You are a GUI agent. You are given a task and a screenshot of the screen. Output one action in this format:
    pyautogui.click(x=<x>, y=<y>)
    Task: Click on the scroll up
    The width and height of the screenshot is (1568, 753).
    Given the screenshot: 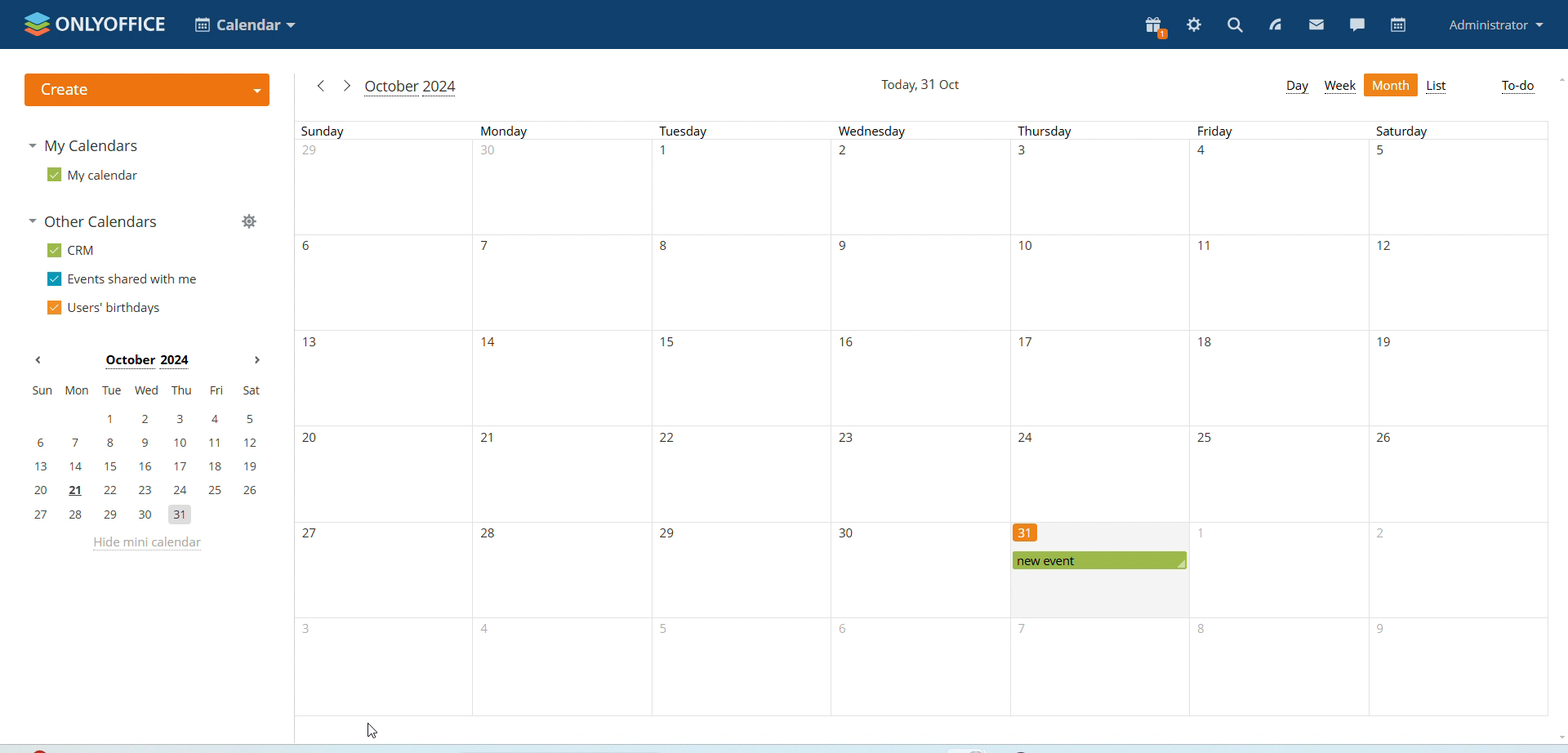 What is the action you would take?
    pyautogui.click(x=1561, y=79)
    